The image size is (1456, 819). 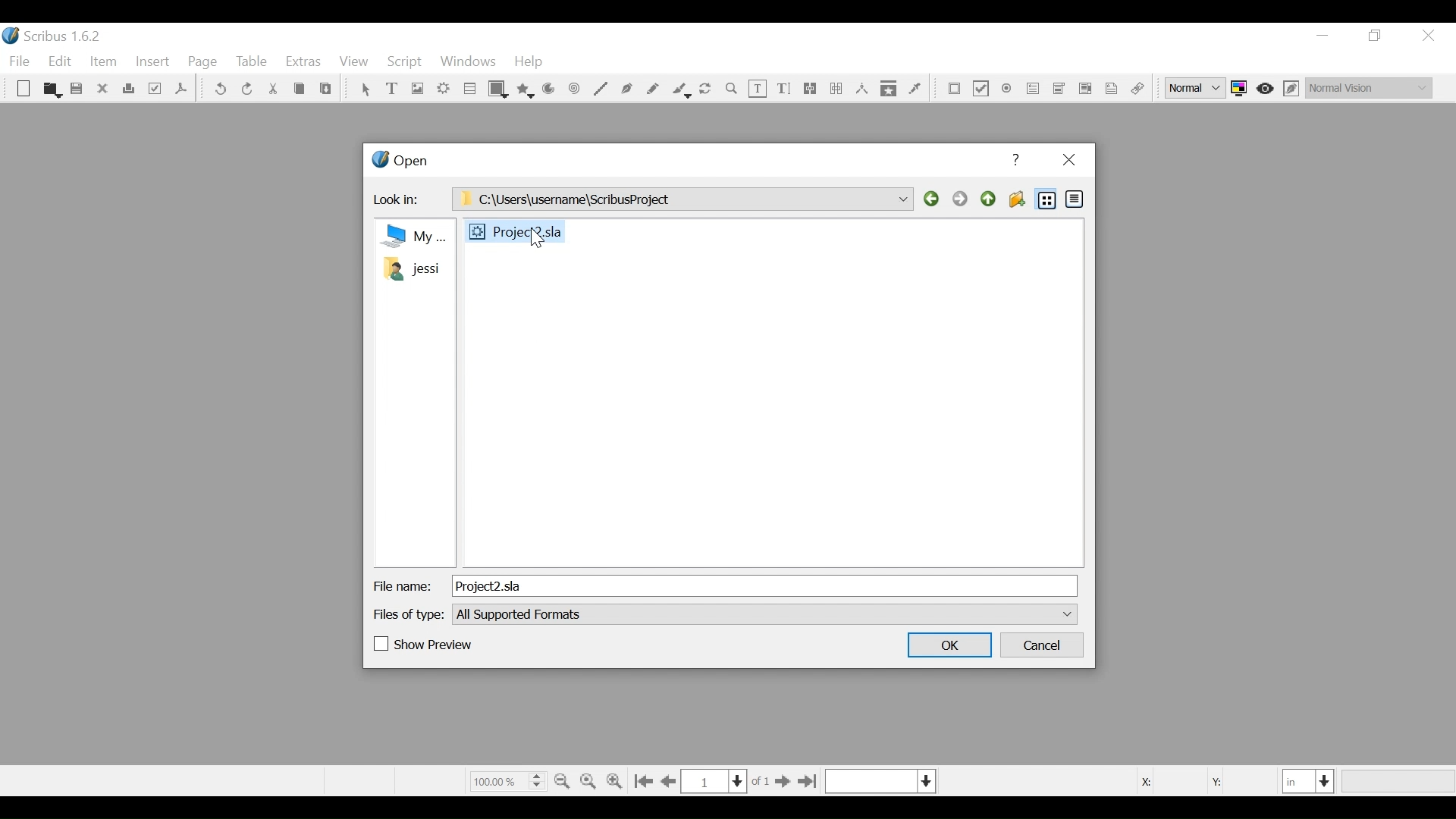 I want to click on Rotate image, so click(x=707, y=89).